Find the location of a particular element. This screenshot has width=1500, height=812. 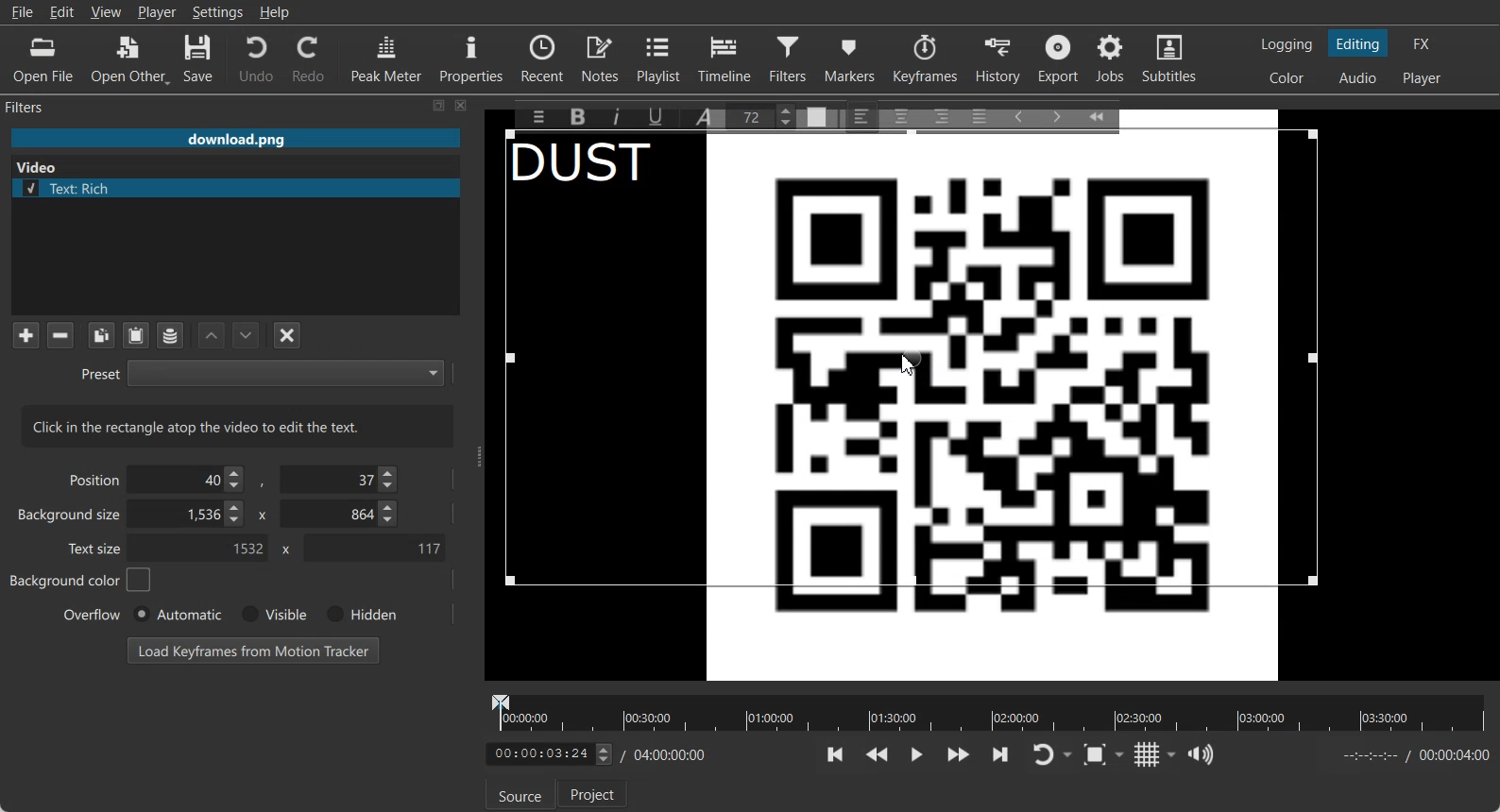

Background size is located at coordinates (71, 518).